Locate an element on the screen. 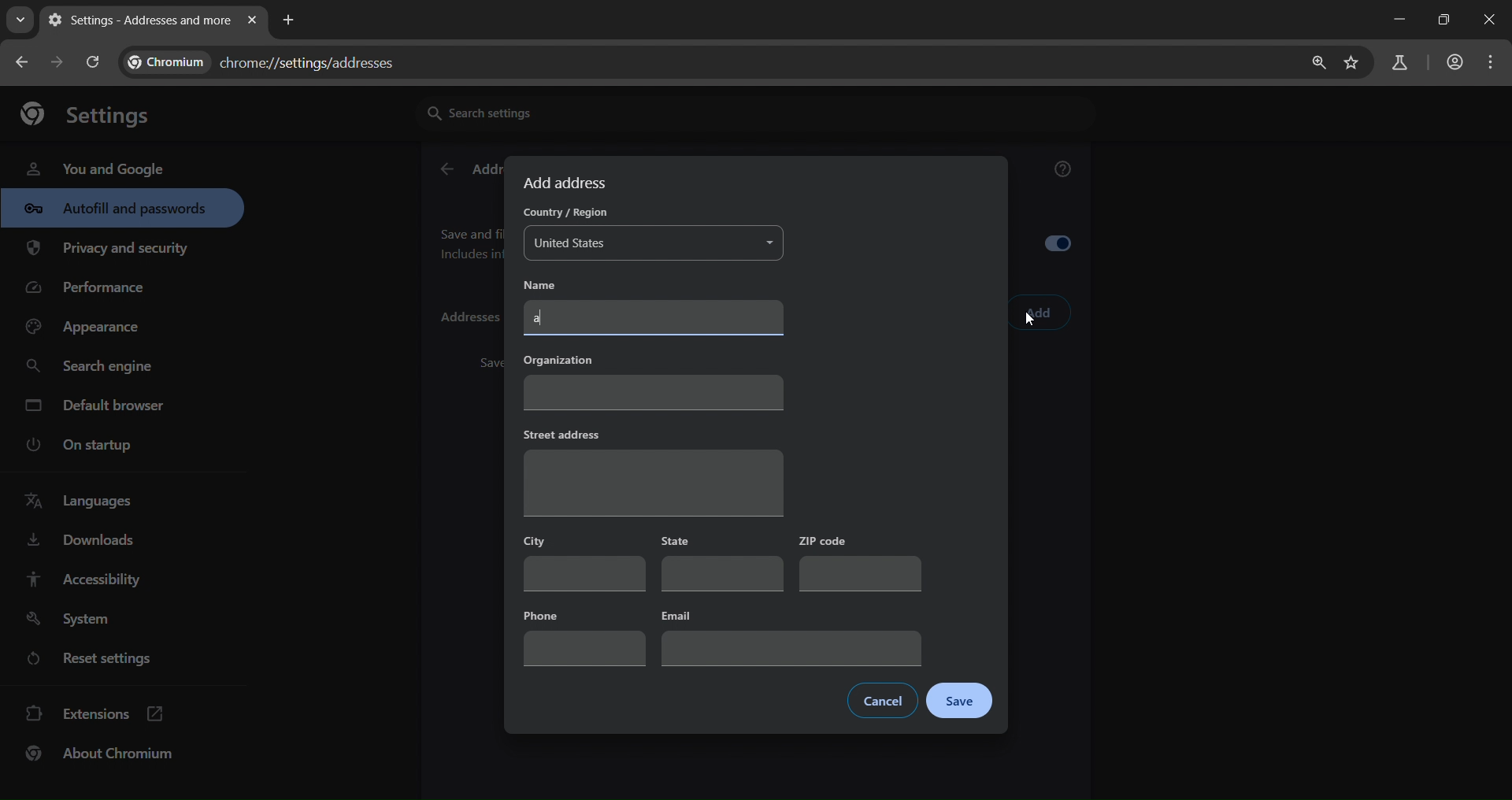 Image resolution: width=1512 pixels, height=800 pixels. email is located at coordinates (793, 636).